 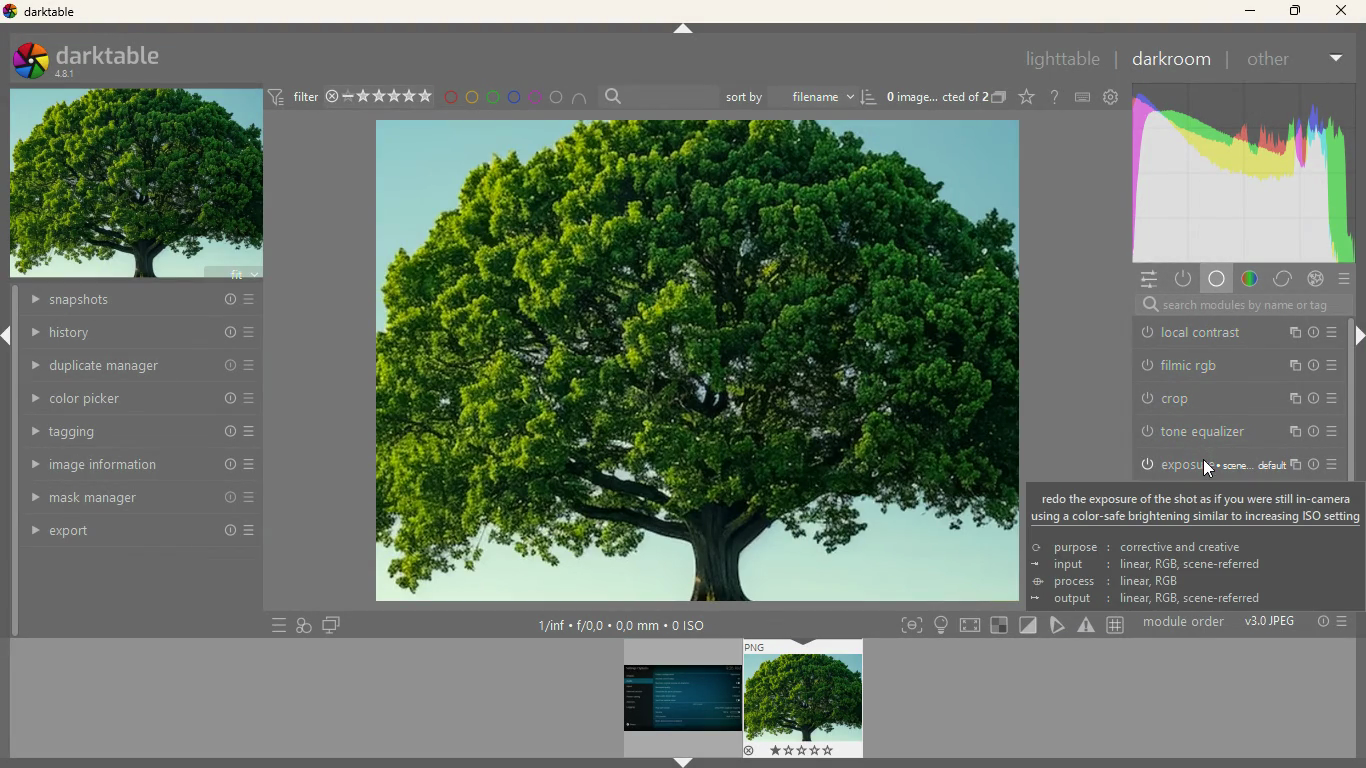 What do you see at coordinates (1270, 624) in the screenshot?
I see `v3.0 JPEG` at bounding box center [1270, 624].